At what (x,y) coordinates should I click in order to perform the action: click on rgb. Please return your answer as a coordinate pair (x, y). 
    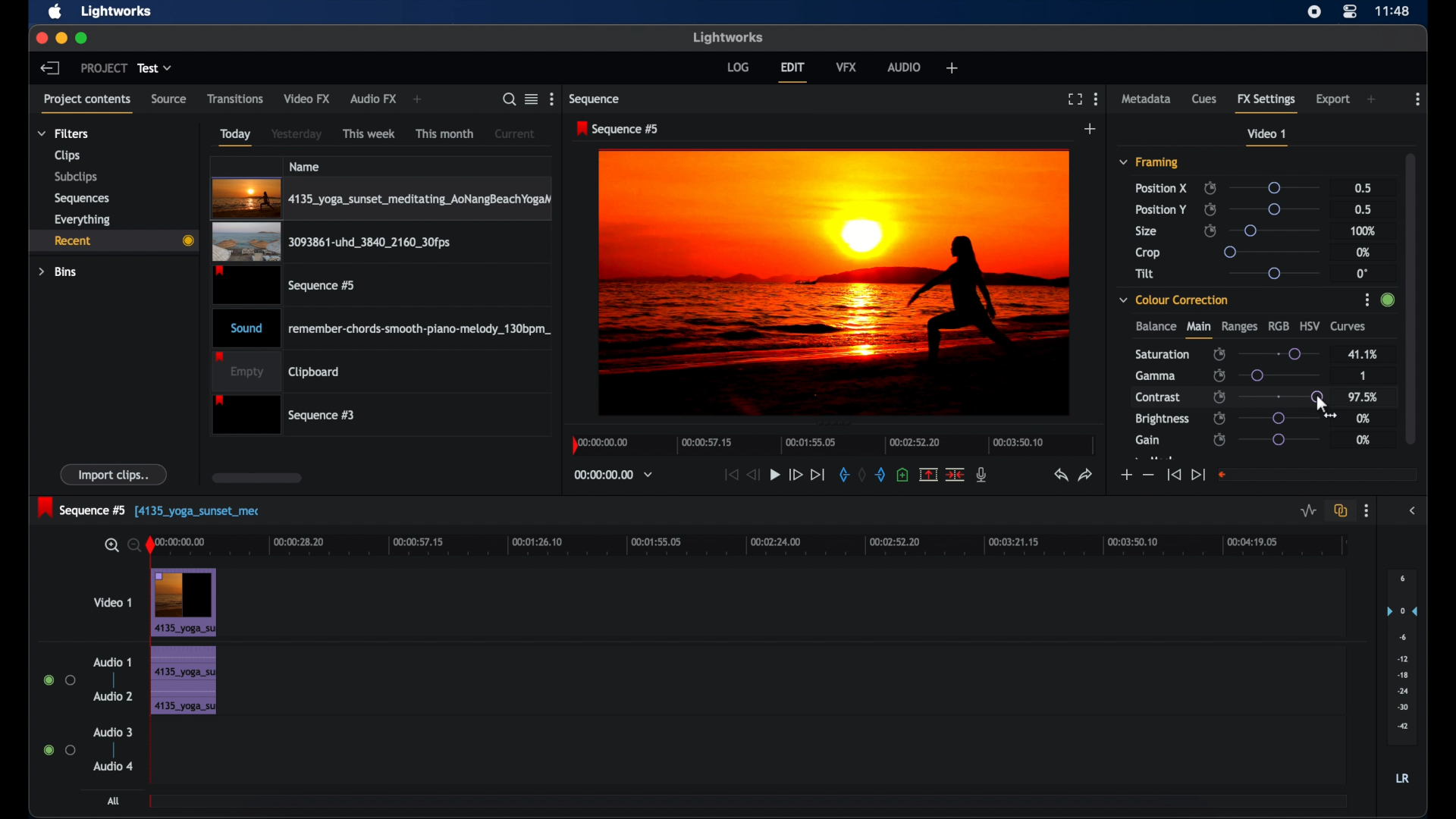
    Looking at the image, I should click on (1279, 325).